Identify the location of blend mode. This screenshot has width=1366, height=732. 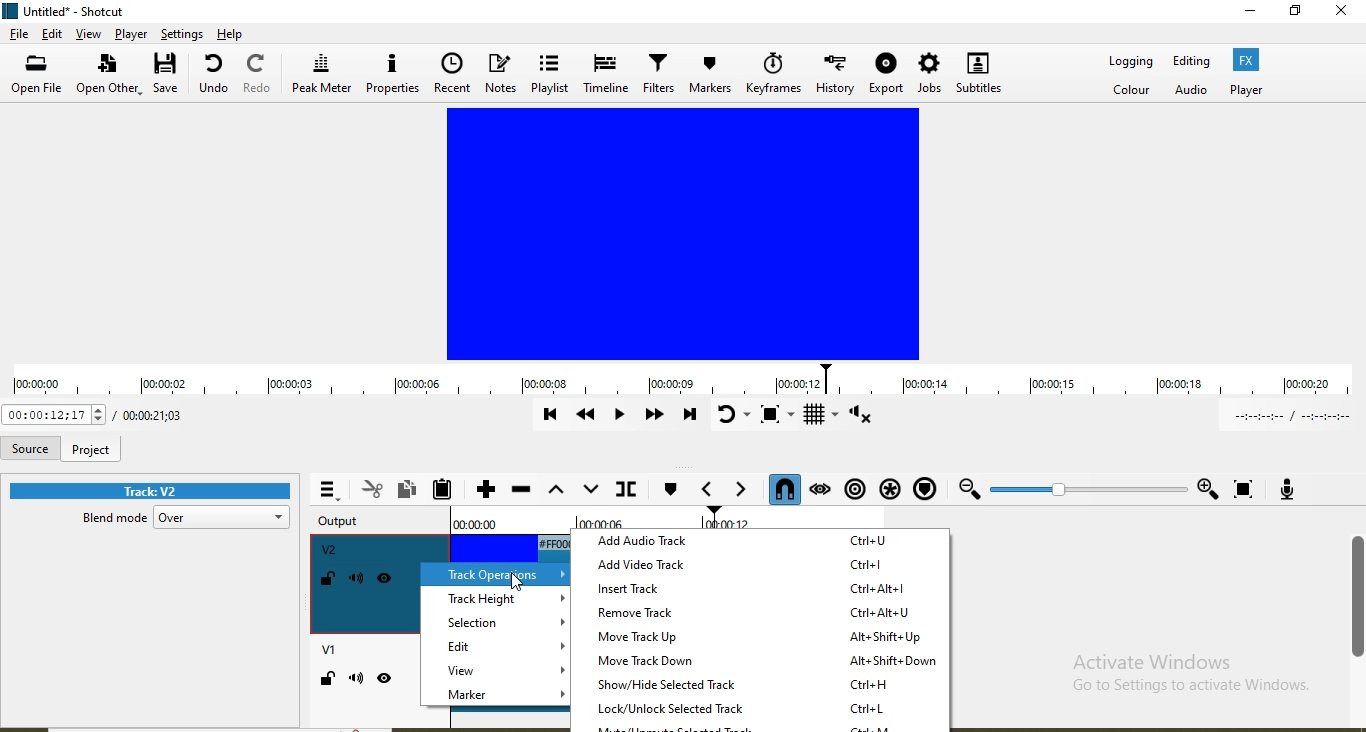
(109, 521).